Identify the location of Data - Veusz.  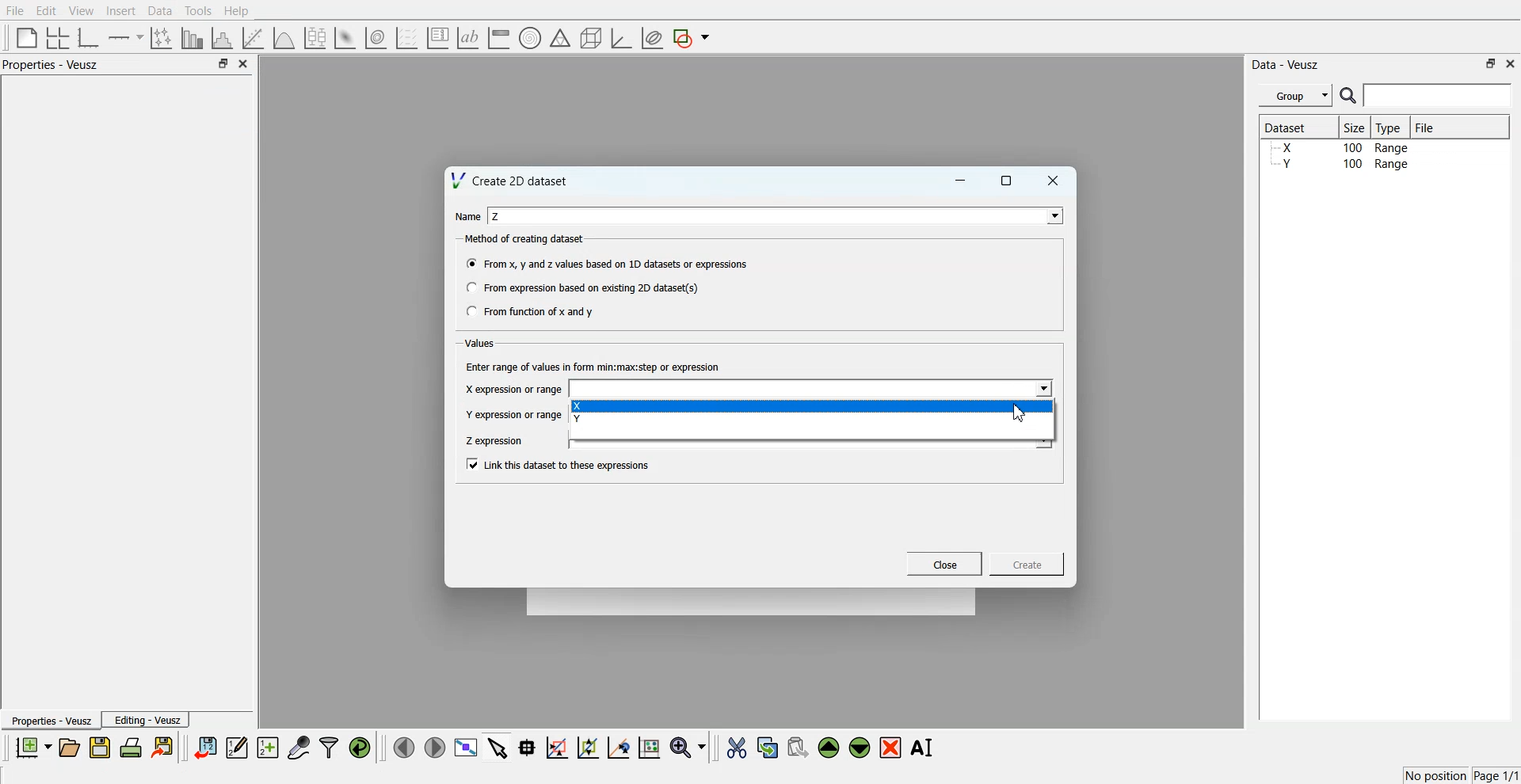
(1285, 65).